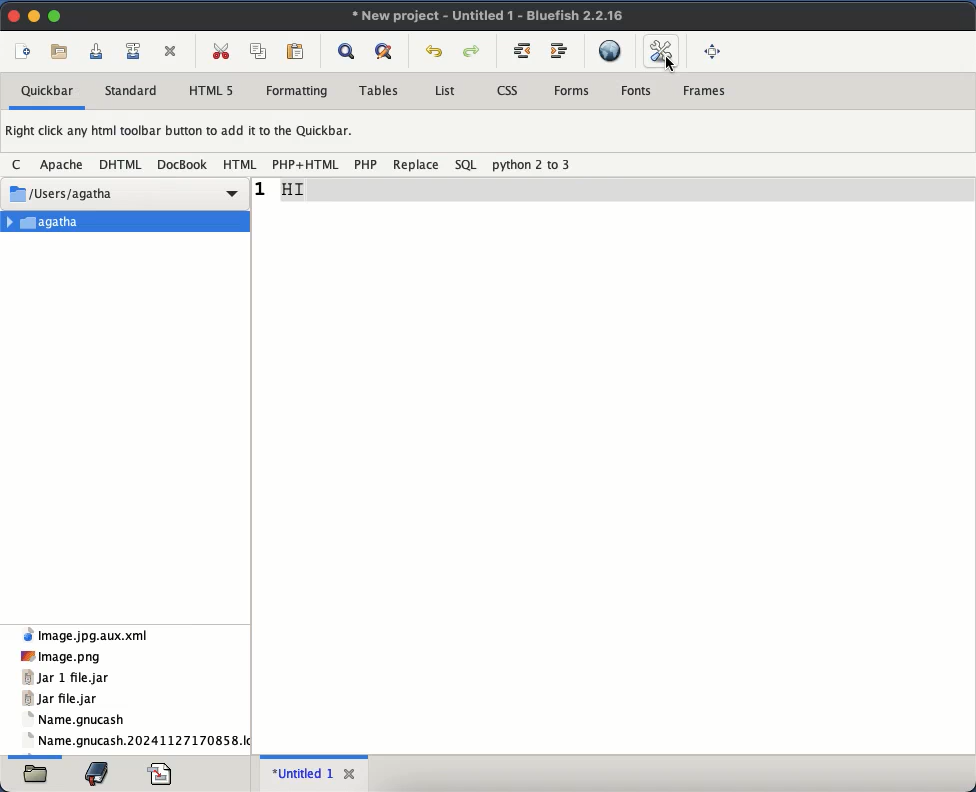 The width and height of the screenshot is (976, 792). Describe the element at coordinates (417, 165) in the screenshot. I see `replace` at that location.